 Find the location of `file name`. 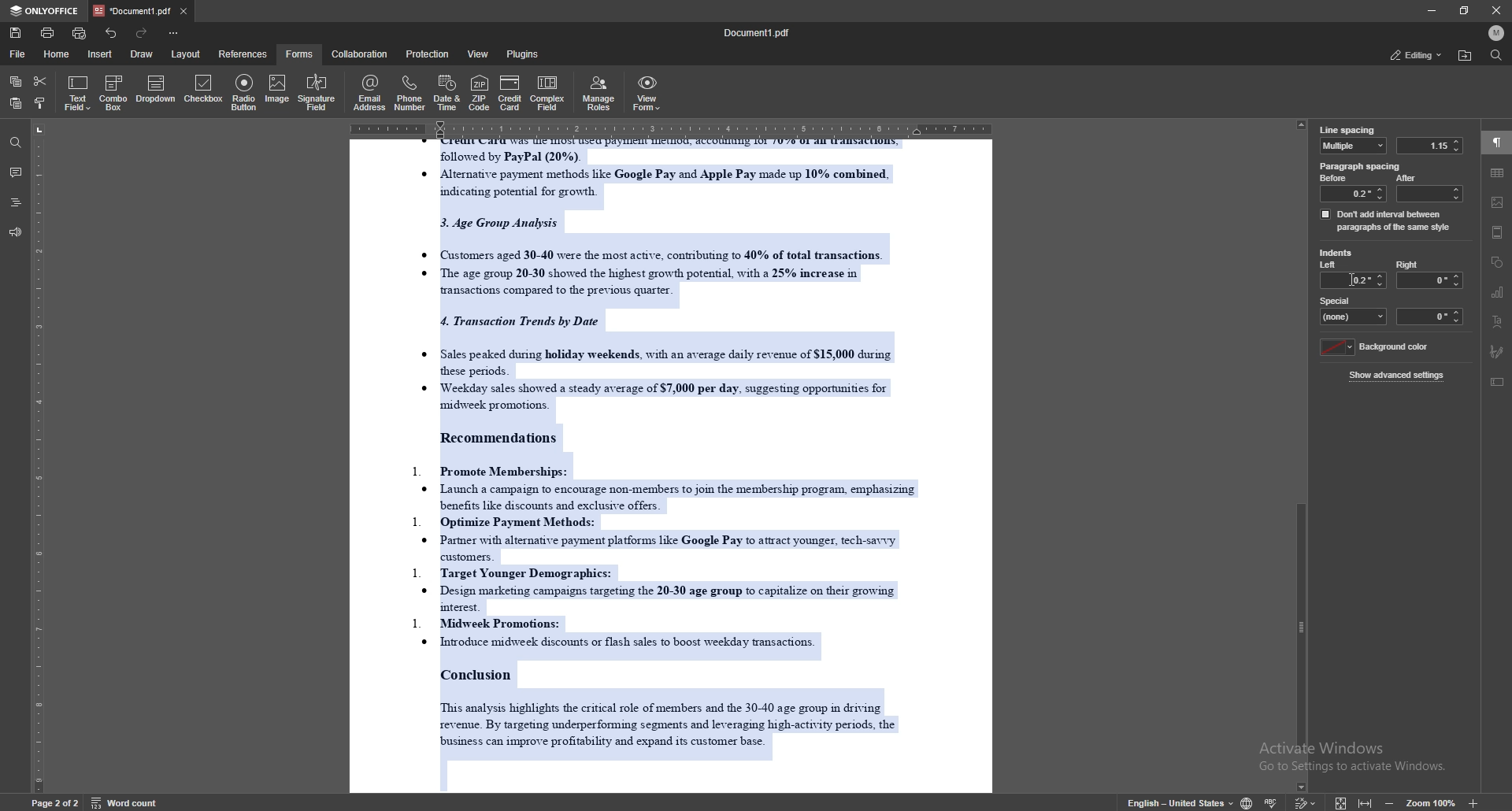

file name is located at coordinates (758, 33).